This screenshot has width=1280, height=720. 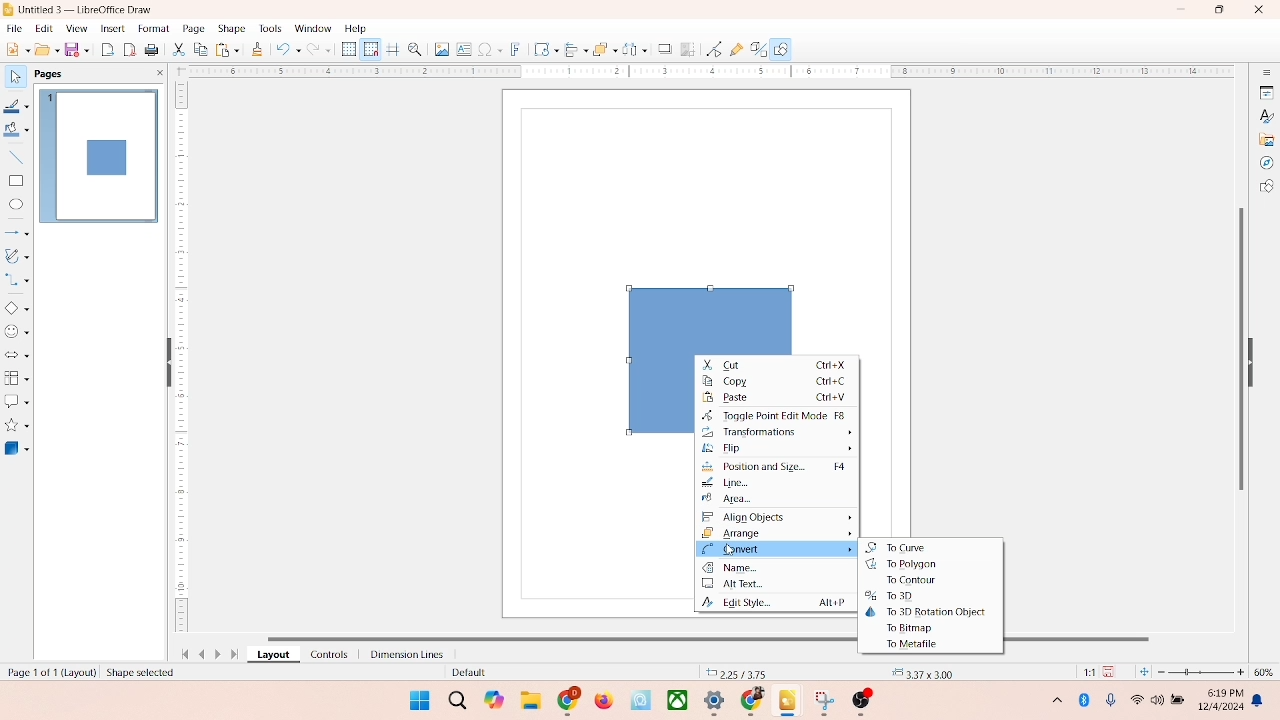 I want to click on wifi, so click(x=1136, y=696).